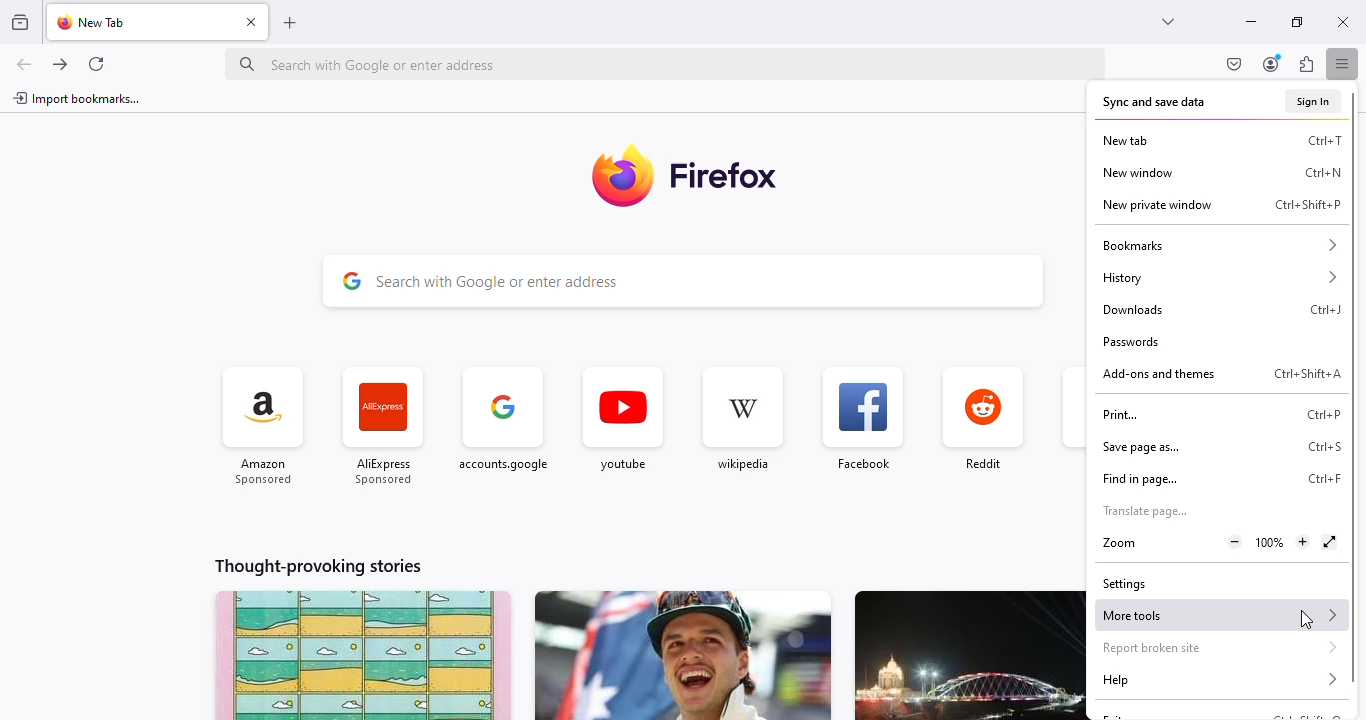 This screenshot has height=720, width=1366. I want to click on bookmarks, so click(1219, 244).